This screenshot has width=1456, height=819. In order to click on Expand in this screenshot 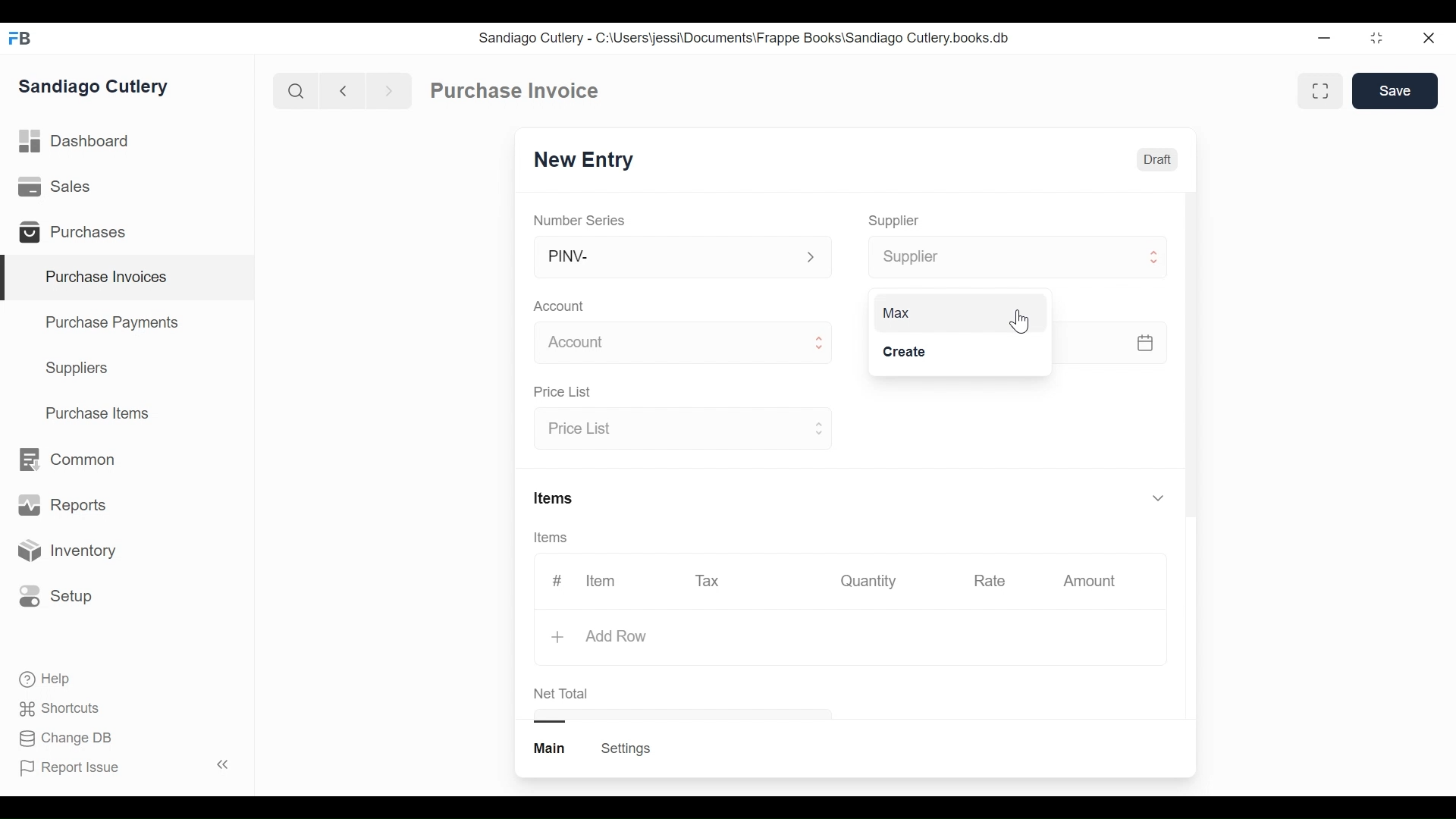, I will do `click(817, 427)`.